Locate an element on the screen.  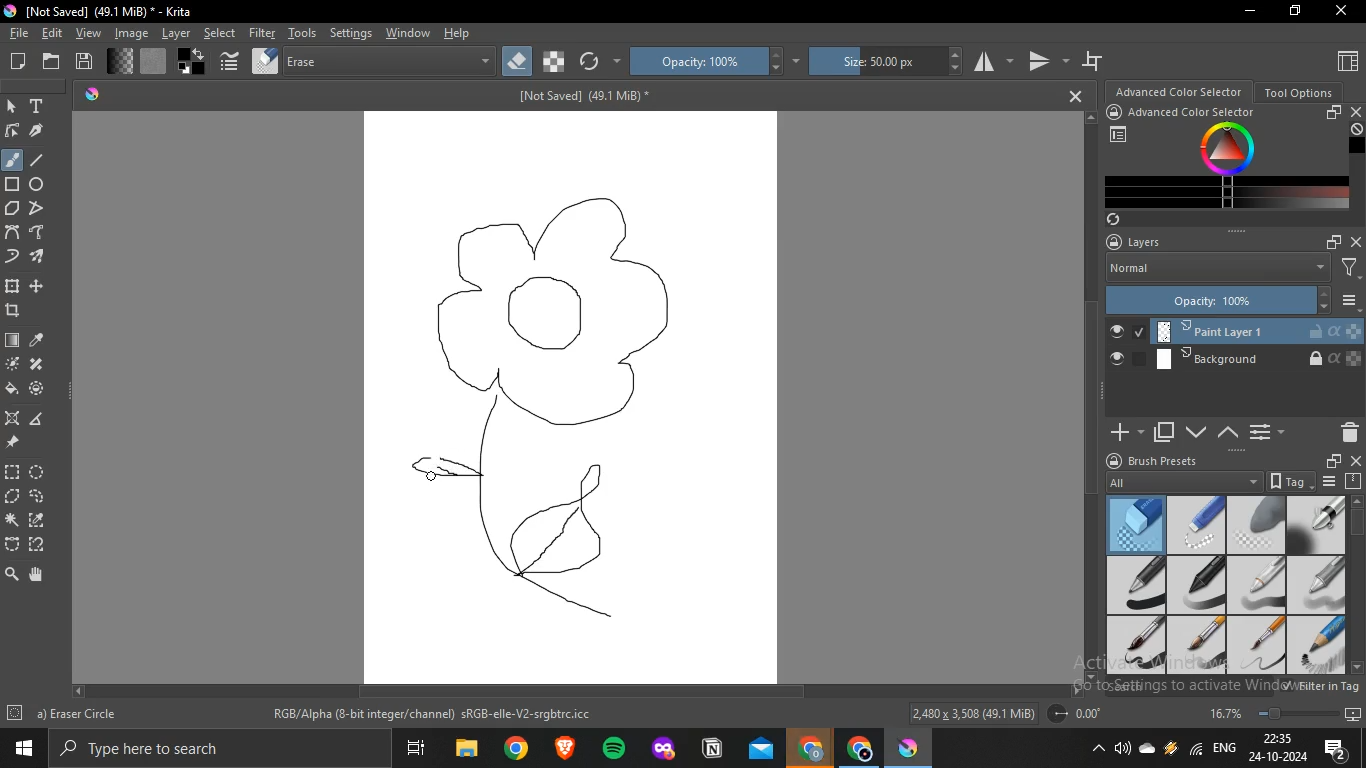
one drive is located at coordinates (1148, 748).